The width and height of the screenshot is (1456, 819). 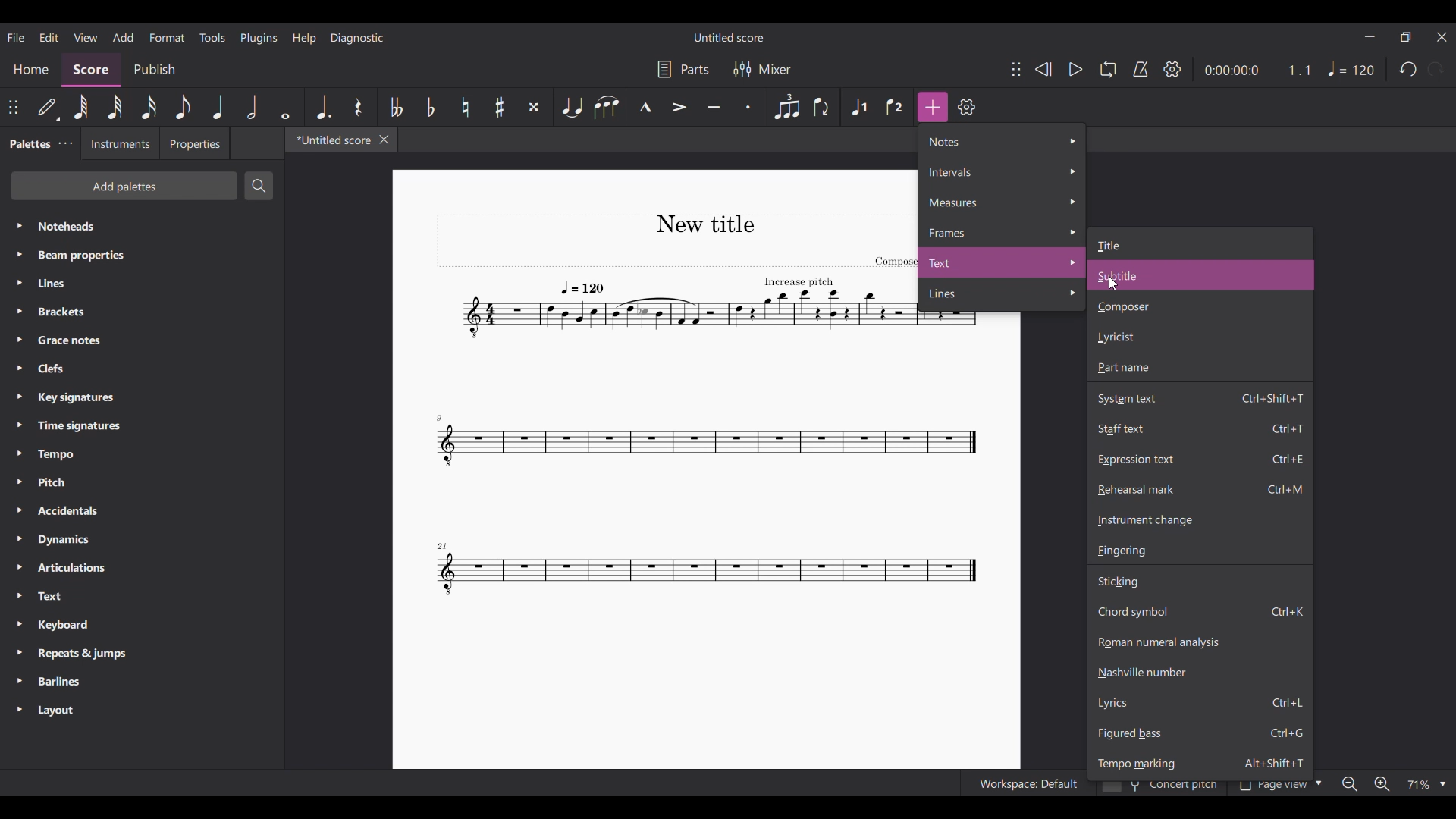 What do you see at coordinates (27, 145) in the screenshot?
I see `Palettes` at bounding box center [27, 145].